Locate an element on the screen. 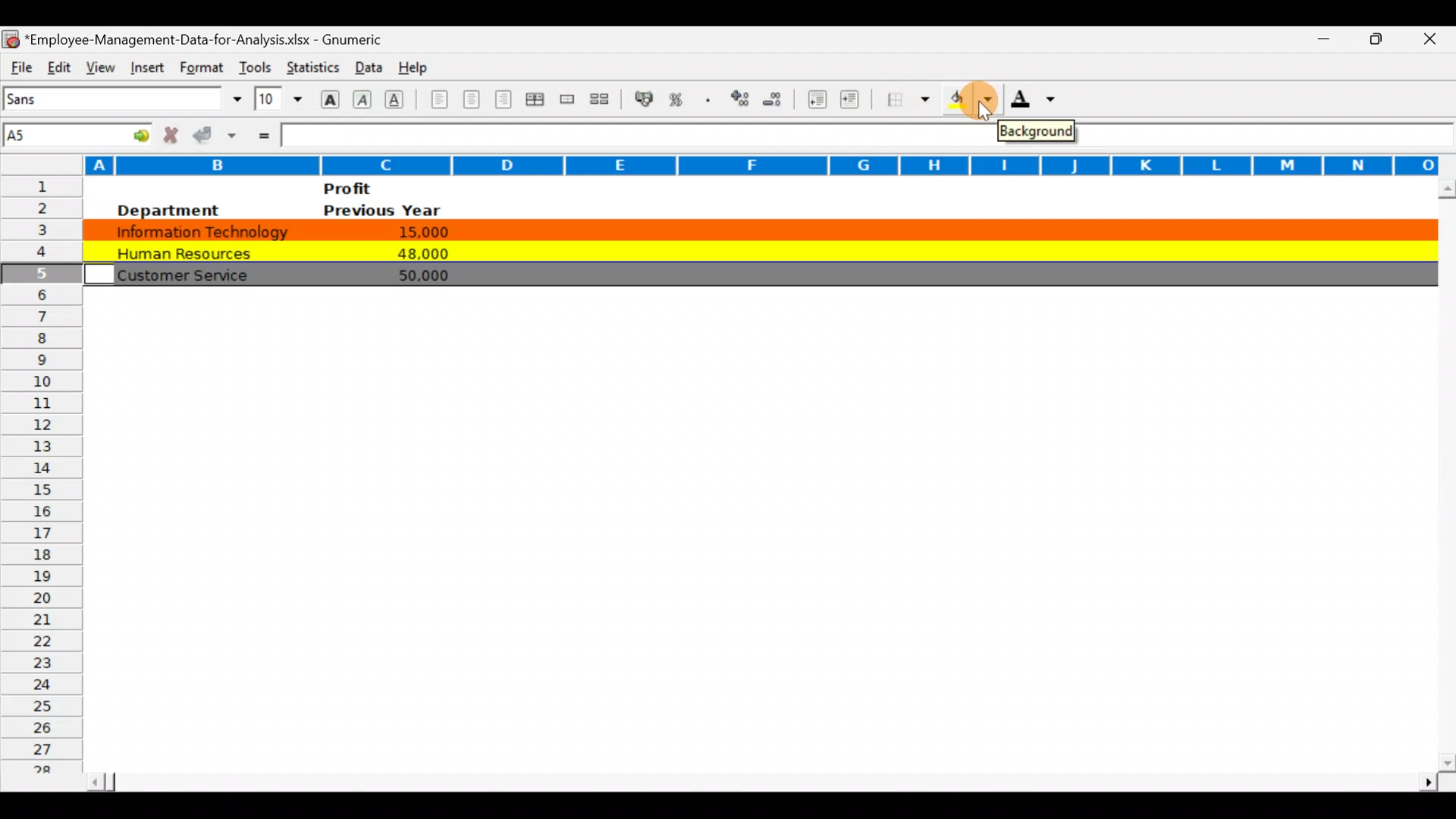 The image size is (1456, 819). Cells is located at coordinates (747, 557).